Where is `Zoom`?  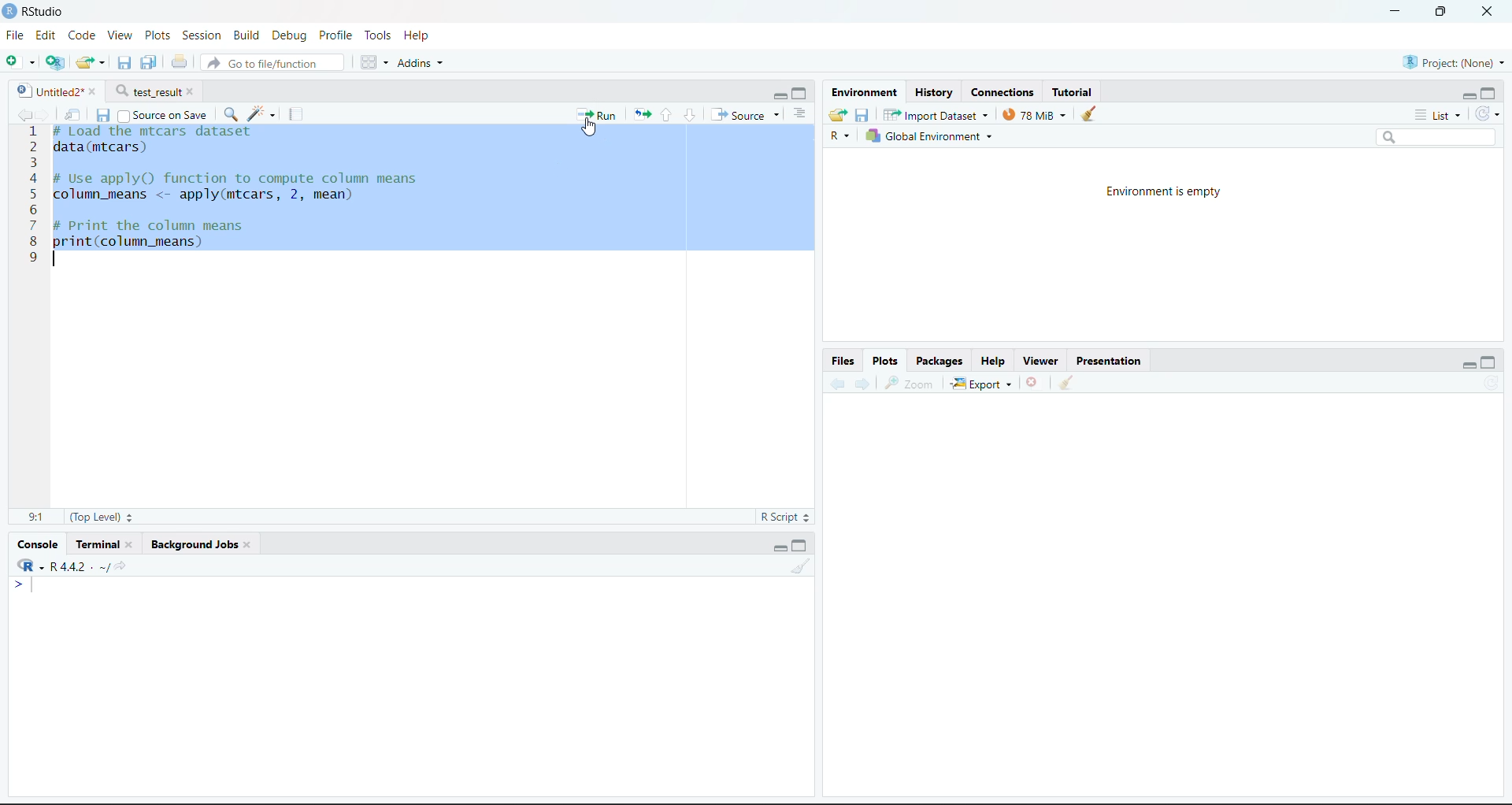
Zoom is located at coordinates (911, 384).